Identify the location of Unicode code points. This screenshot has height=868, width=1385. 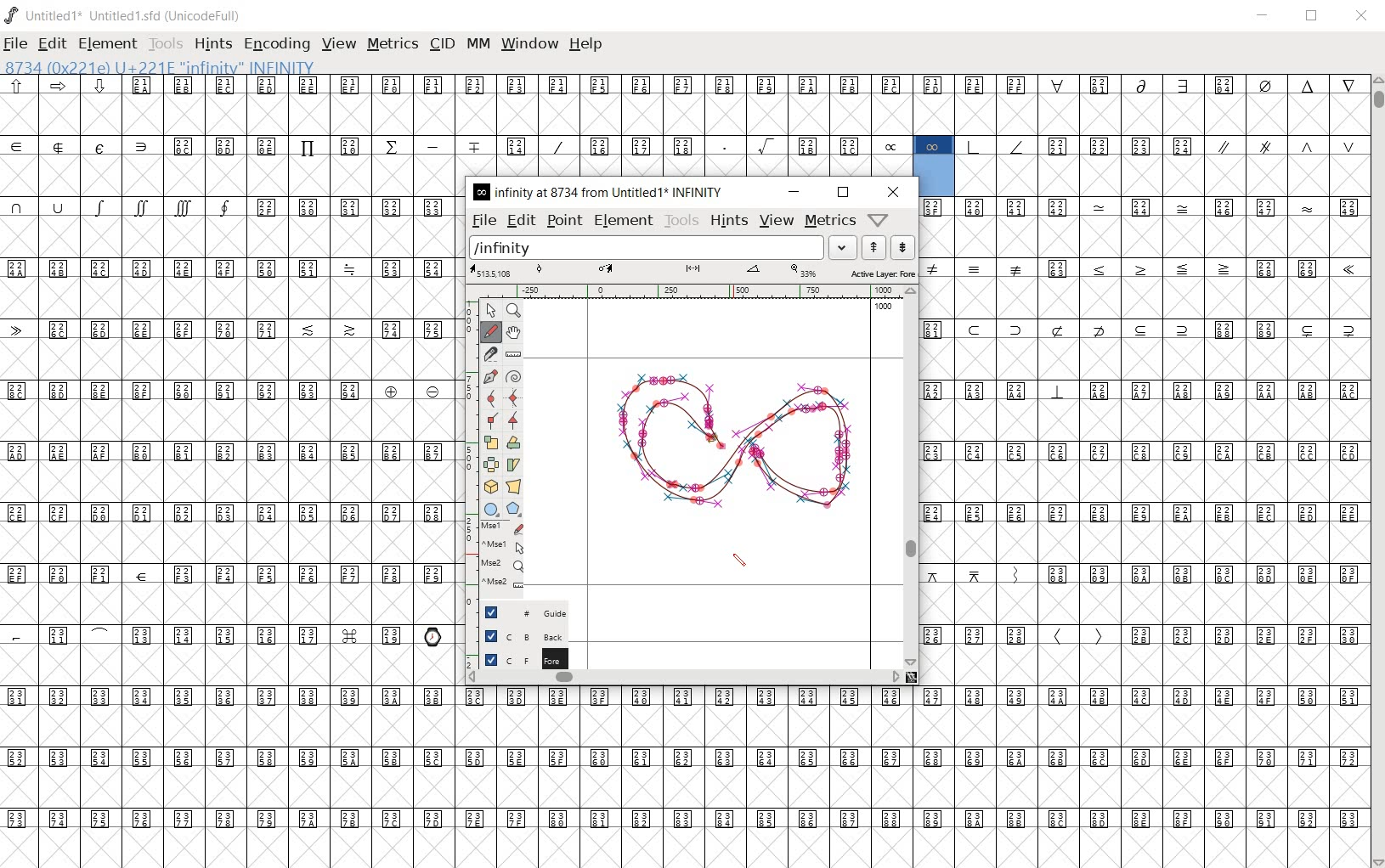
(1222, 390).